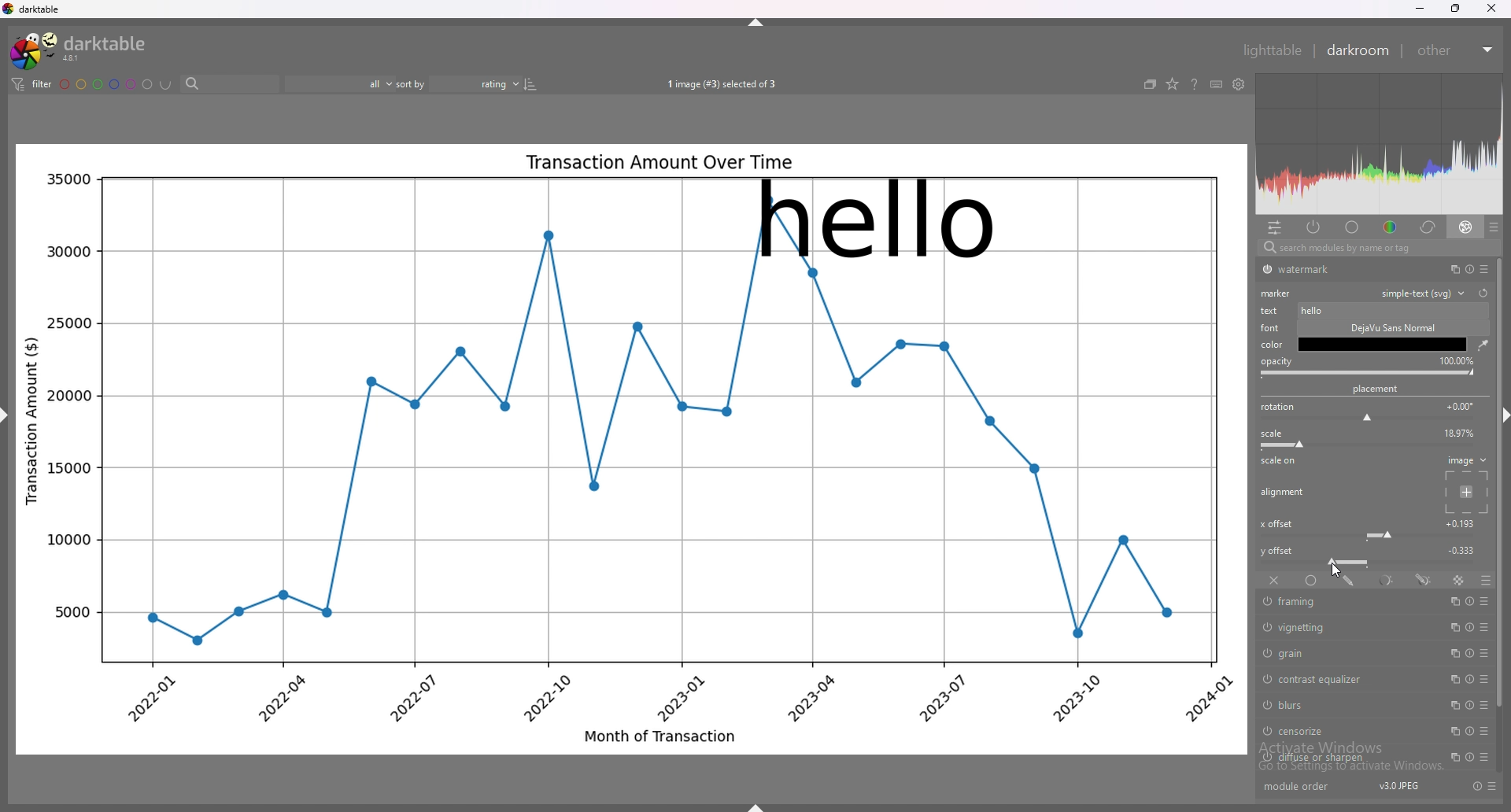 This screenshot has width=1511, height=812. What do you see at coordinates (1313, 311) in the screenshot?
I see `typed text` at bounding box center [1313, 311].